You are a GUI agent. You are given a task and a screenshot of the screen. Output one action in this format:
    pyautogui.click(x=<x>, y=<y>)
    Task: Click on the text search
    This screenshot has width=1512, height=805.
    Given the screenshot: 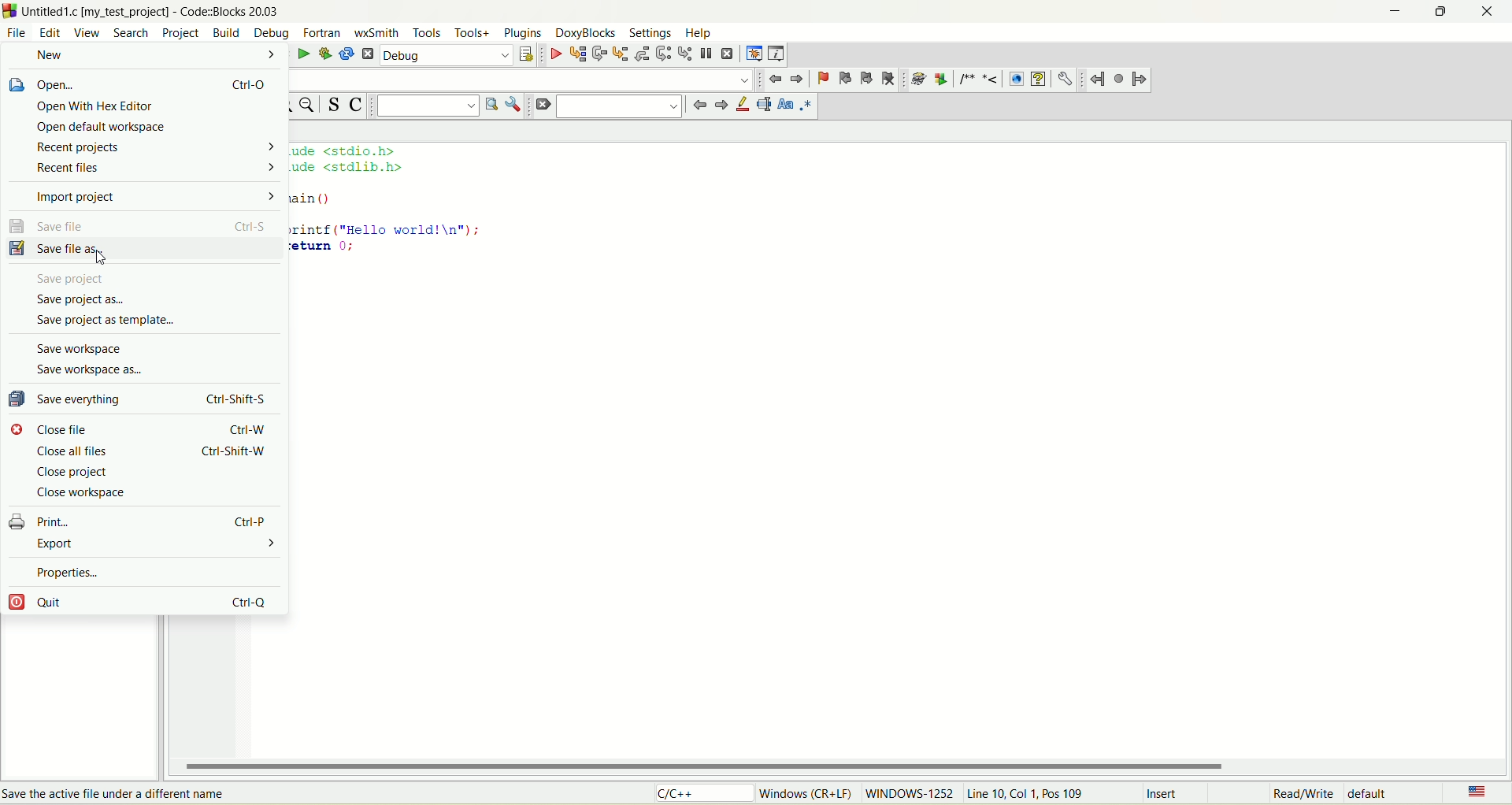 What is the action you would take?
    pyautogui.click(x=427, y=106)
    